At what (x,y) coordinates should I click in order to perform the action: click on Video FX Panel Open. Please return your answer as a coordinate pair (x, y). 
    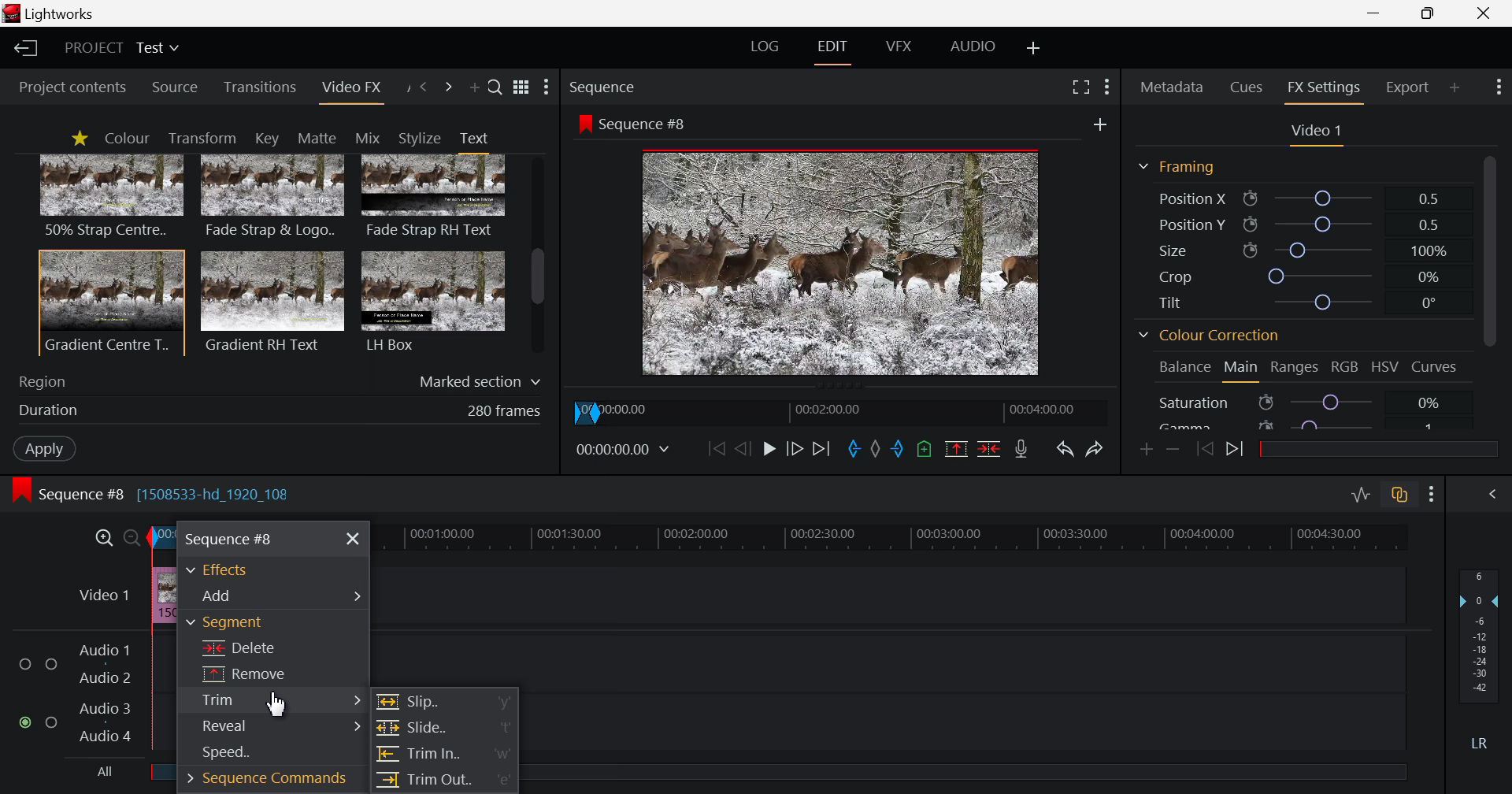
    Looking at the image, I should click on (354, 91).